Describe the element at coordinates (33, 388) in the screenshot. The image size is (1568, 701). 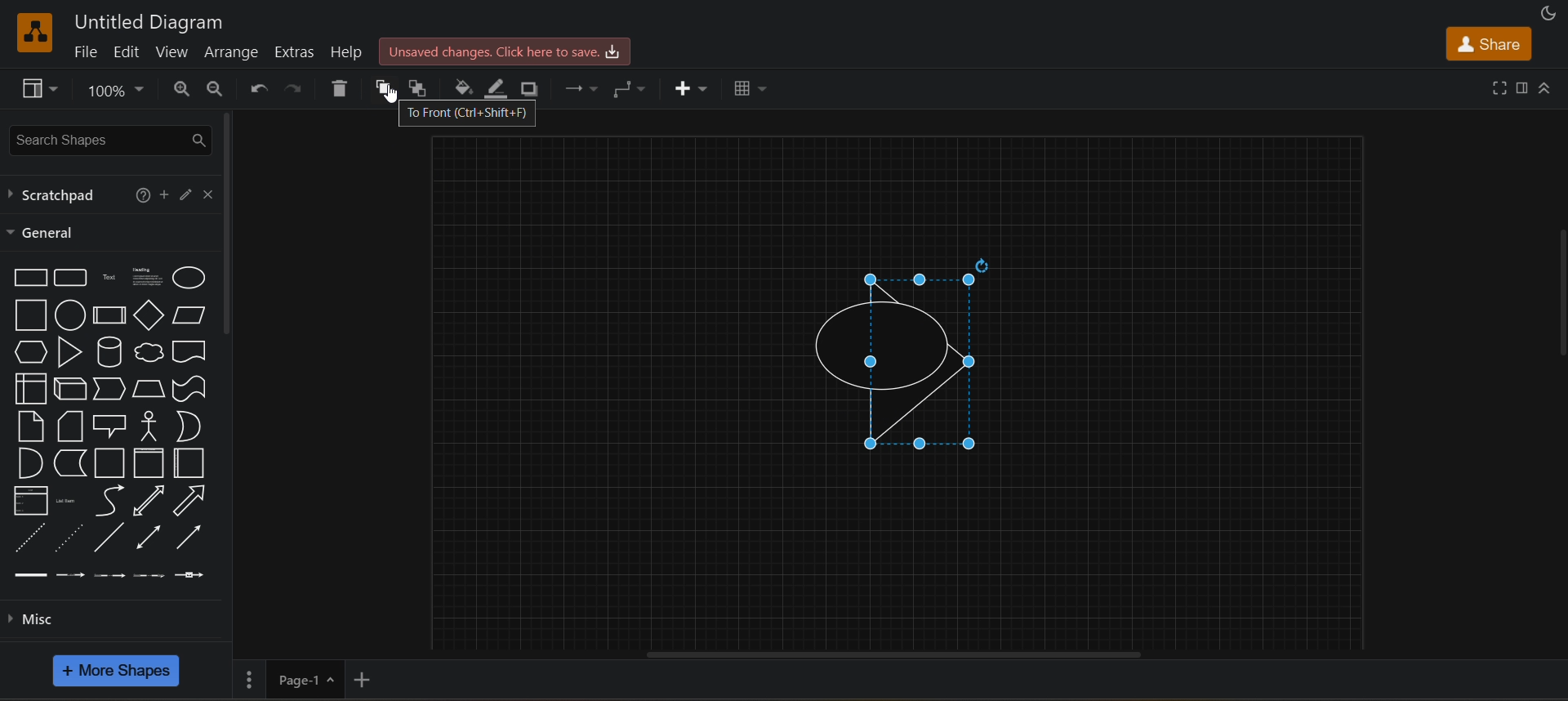
I see `internal storage` at that location.